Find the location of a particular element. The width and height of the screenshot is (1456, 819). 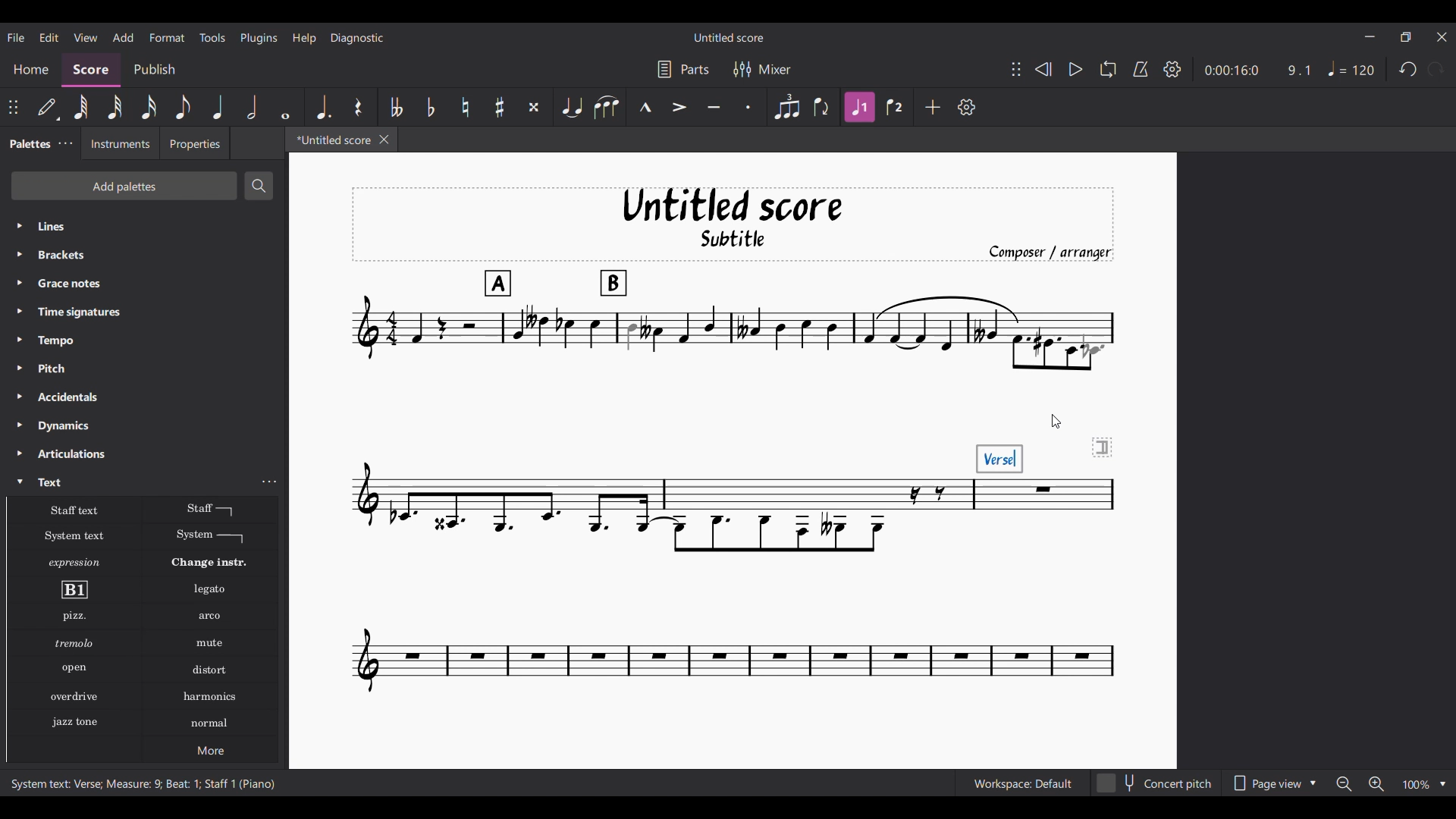

Toggle flat is located at coordinates (431, 107).